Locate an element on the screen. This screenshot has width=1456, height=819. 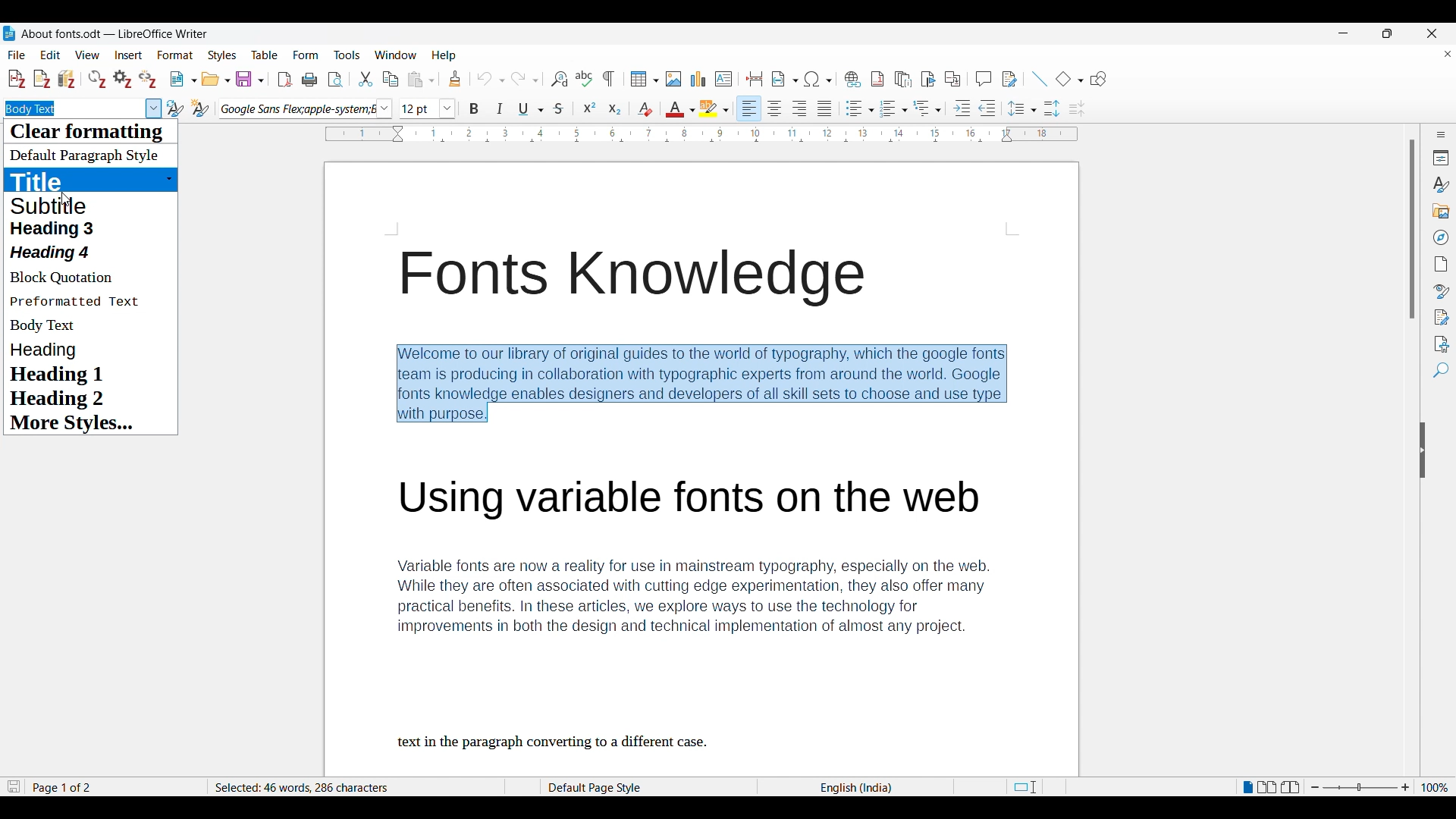
Fonts Knowledge is located at coordinates (631, 277).